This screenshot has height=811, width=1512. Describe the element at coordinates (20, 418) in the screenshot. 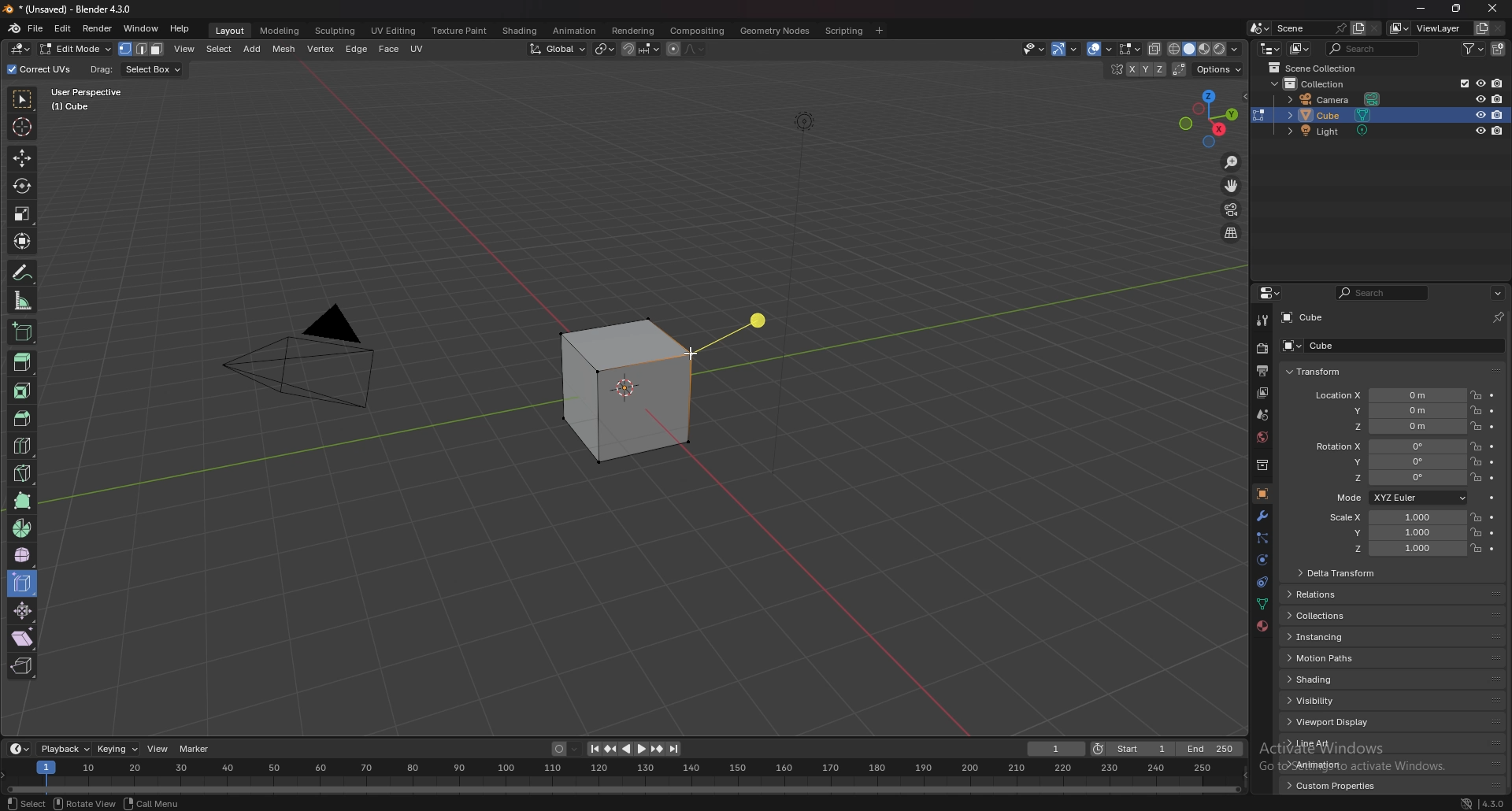

I see `bevel` at that location.